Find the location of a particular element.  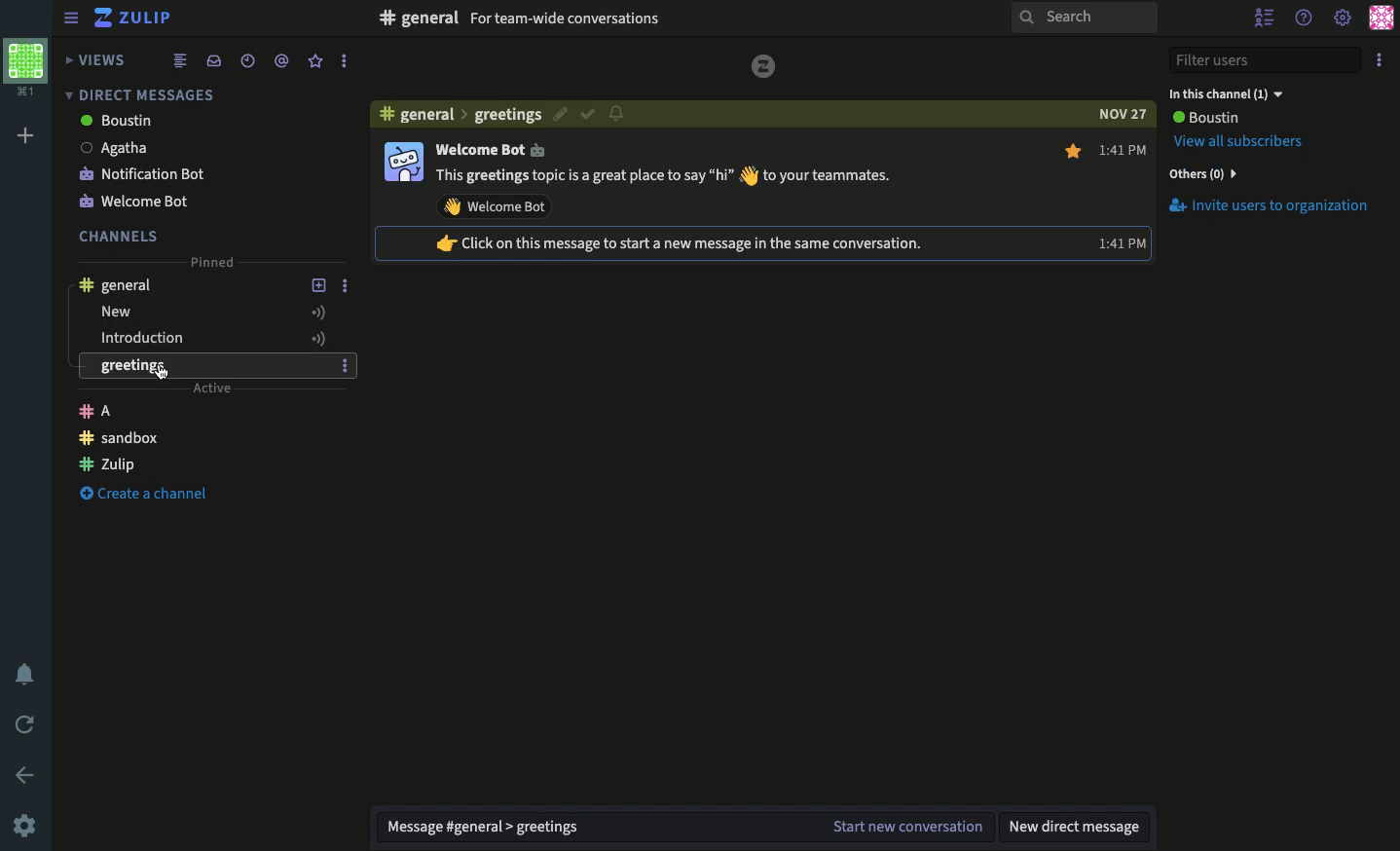

Cursor is located at coordinates (164, 372).